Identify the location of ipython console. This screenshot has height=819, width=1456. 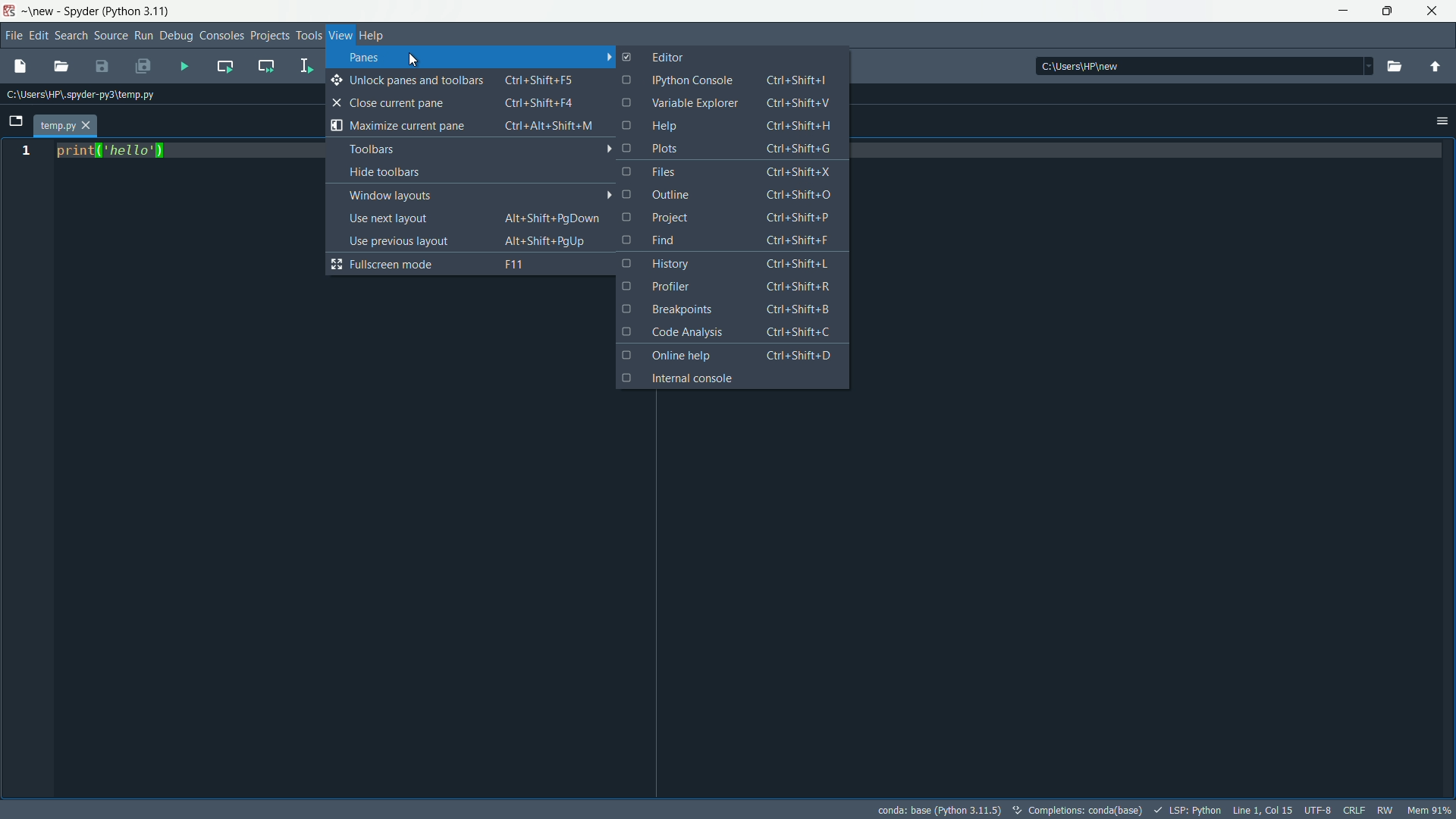
(726, 80).